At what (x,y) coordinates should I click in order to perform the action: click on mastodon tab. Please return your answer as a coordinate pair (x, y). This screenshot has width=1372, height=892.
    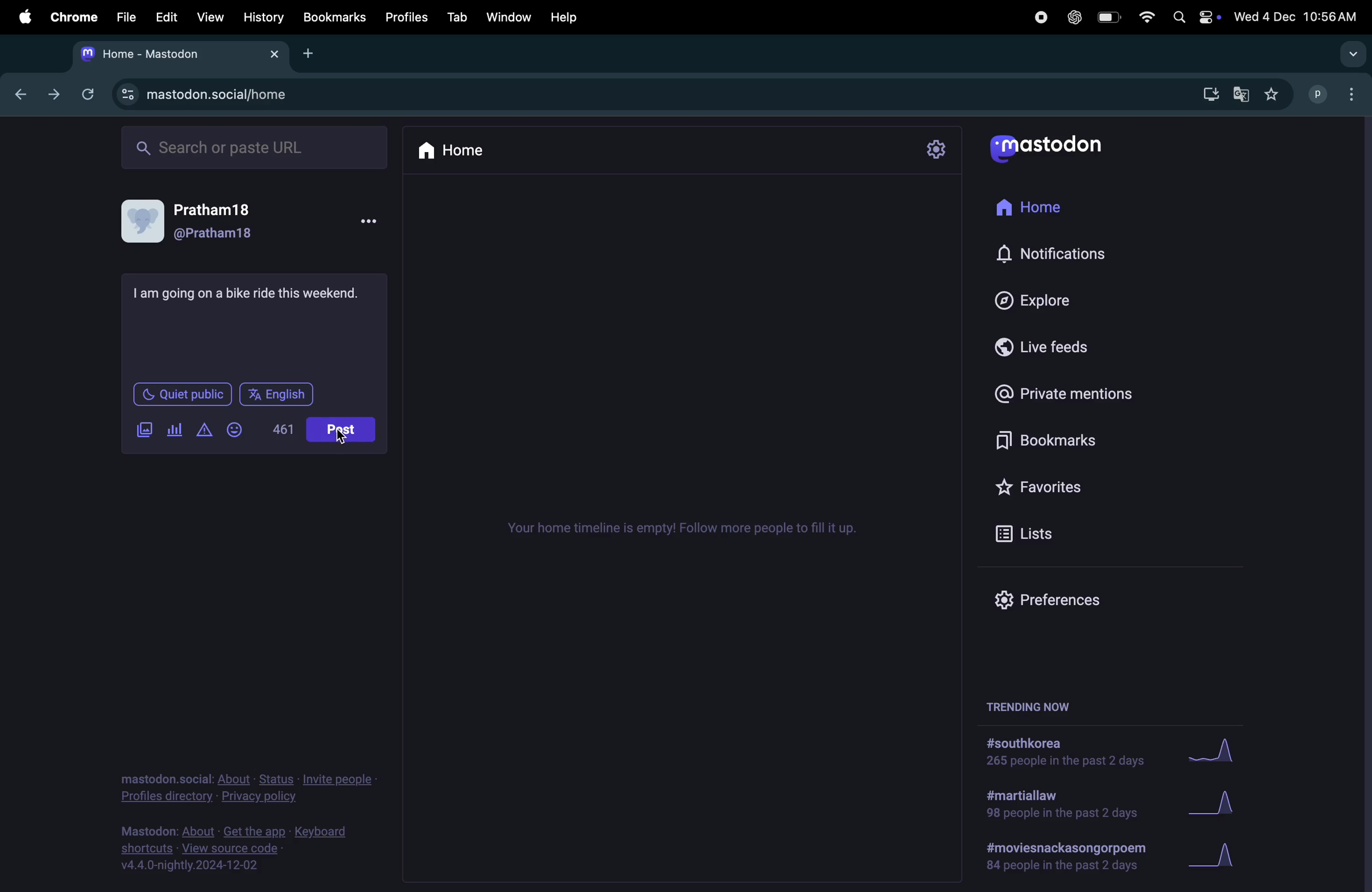
    Looking at the image, I should click on (181, 52).